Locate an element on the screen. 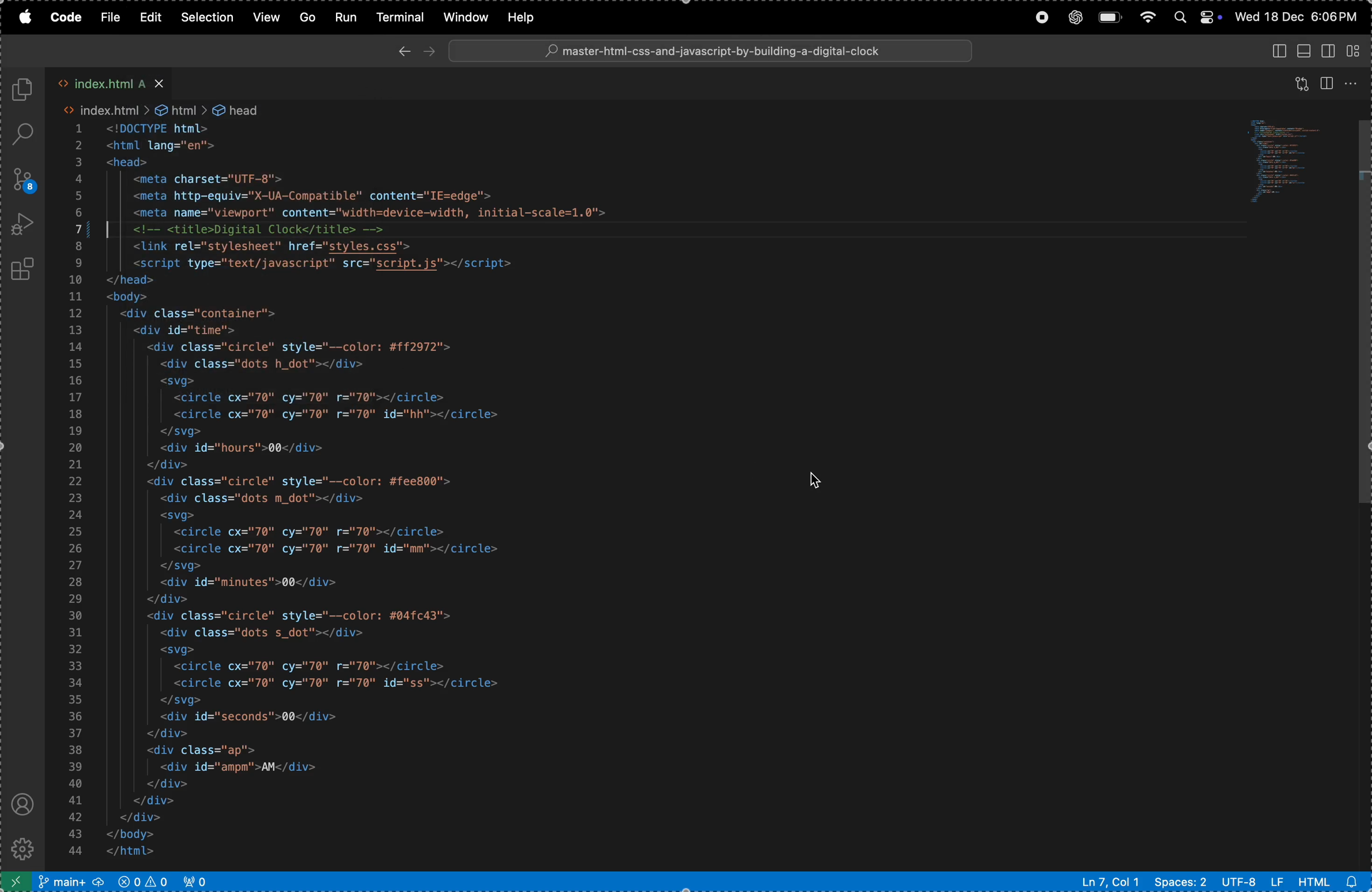 The image size is (1372, 892). back is located at coordinates (405, 51).